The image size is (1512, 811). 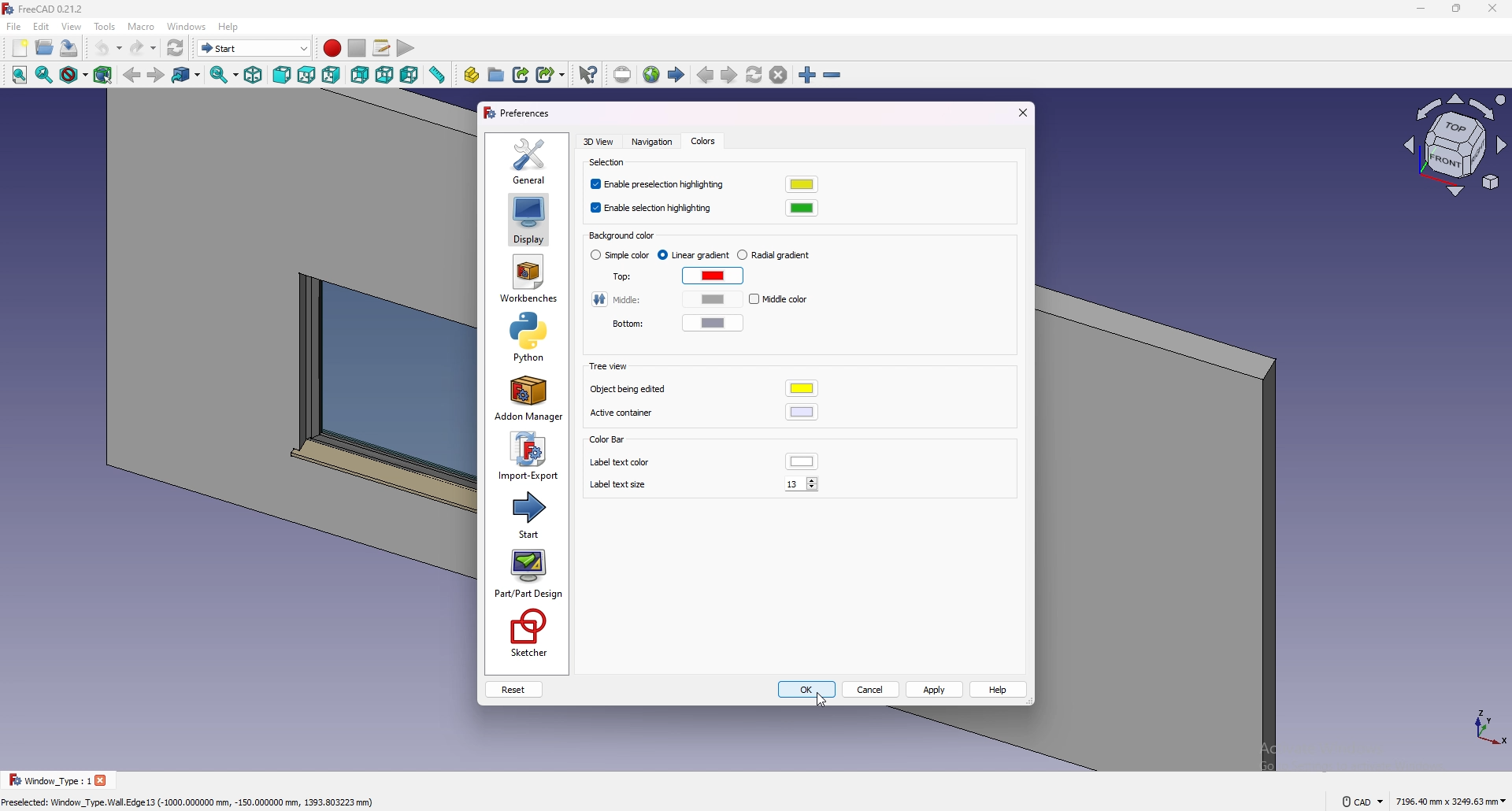 What do you see at coordinates (621, 256) in the screenshot?
I see `simple color` at bounding box center [621, 256].